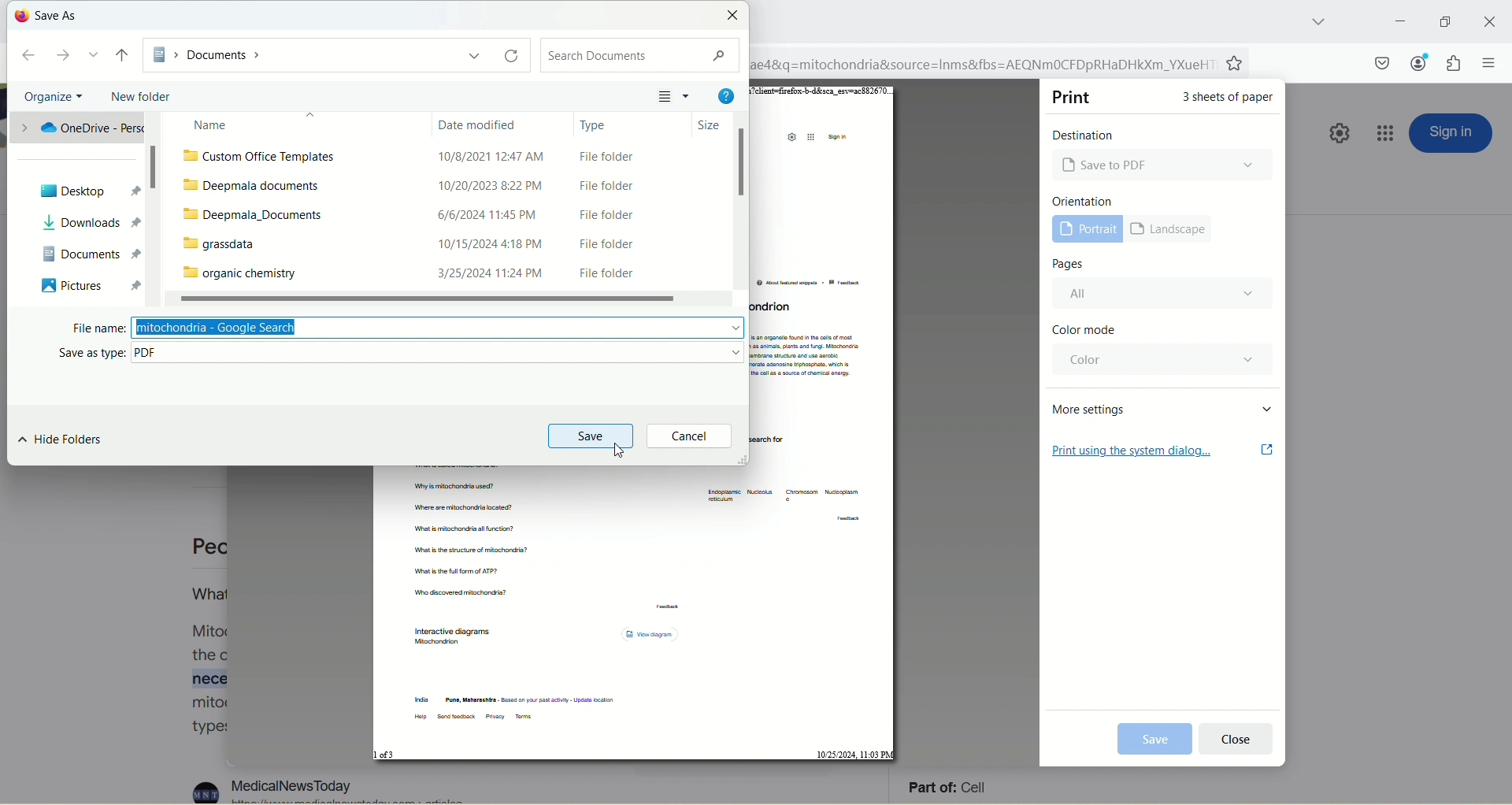 The image size is (1512, 805). I want to click on sign in, so click(1452, 133).